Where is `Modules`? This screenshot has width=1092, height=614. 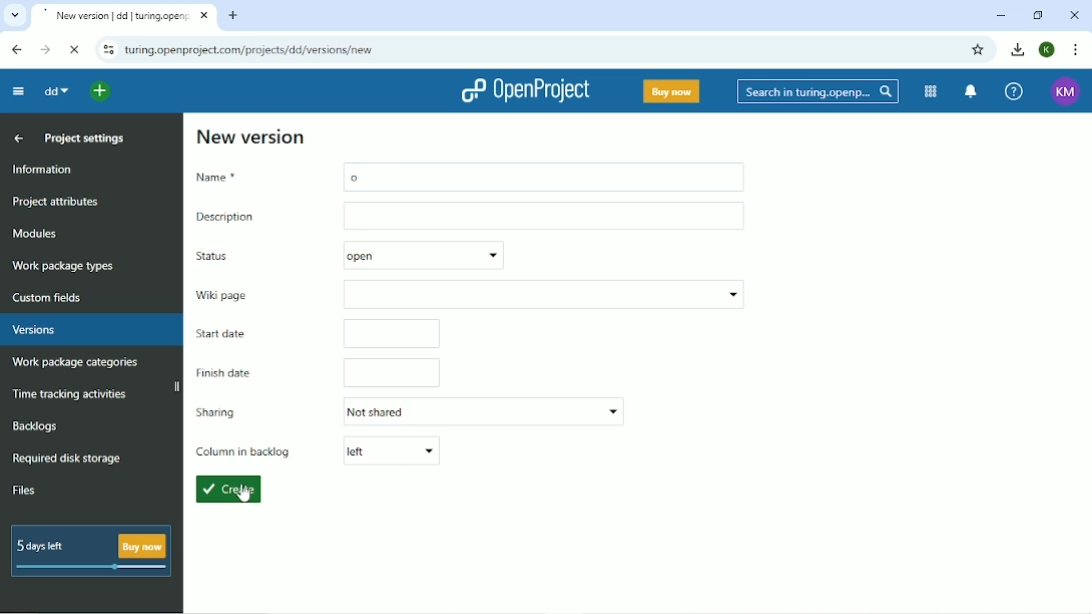 Modules is located at coordinates (930, 91).